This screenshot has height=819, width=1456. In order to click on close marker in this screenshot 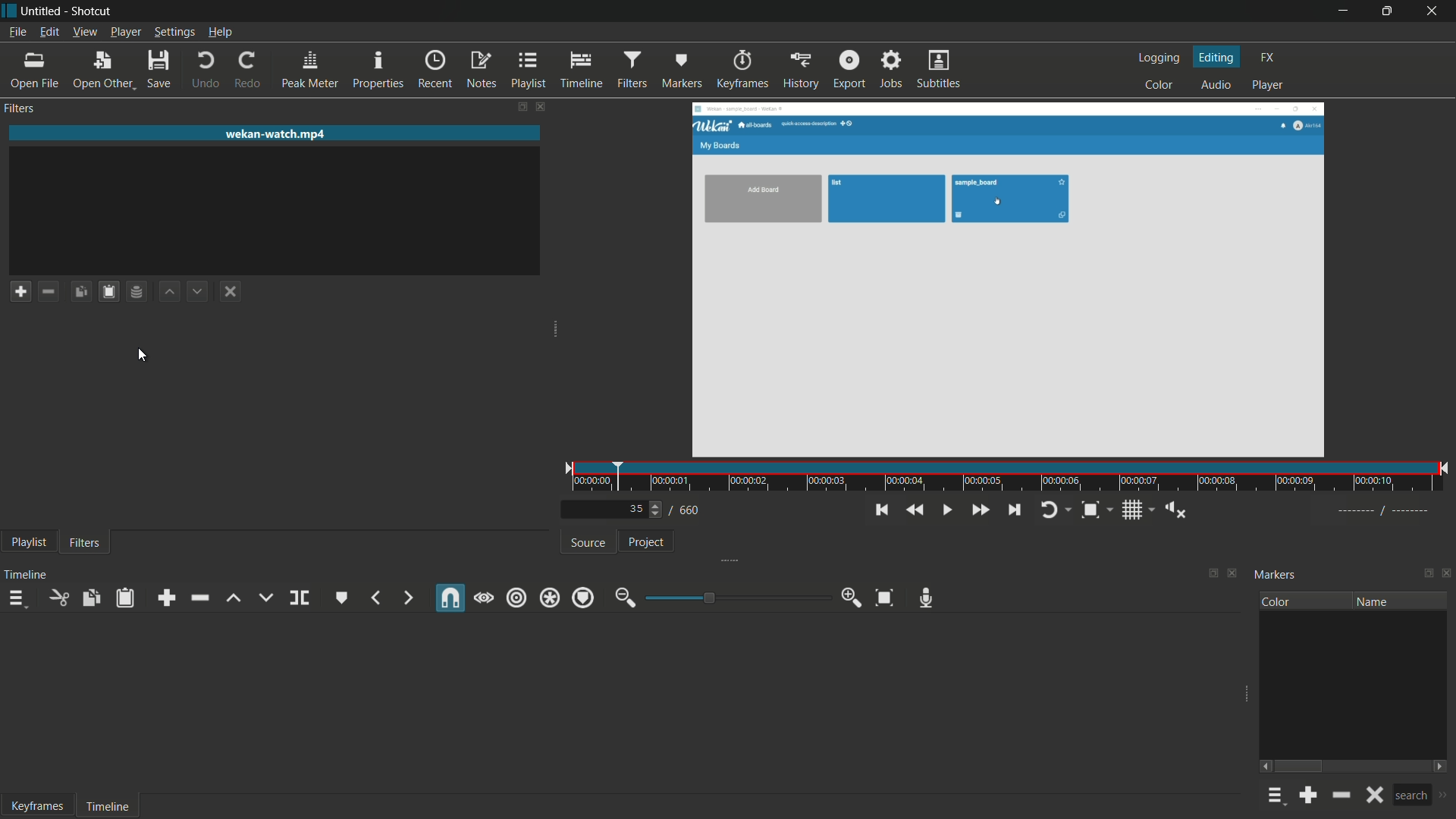, I will do `click(1447, 575)`.